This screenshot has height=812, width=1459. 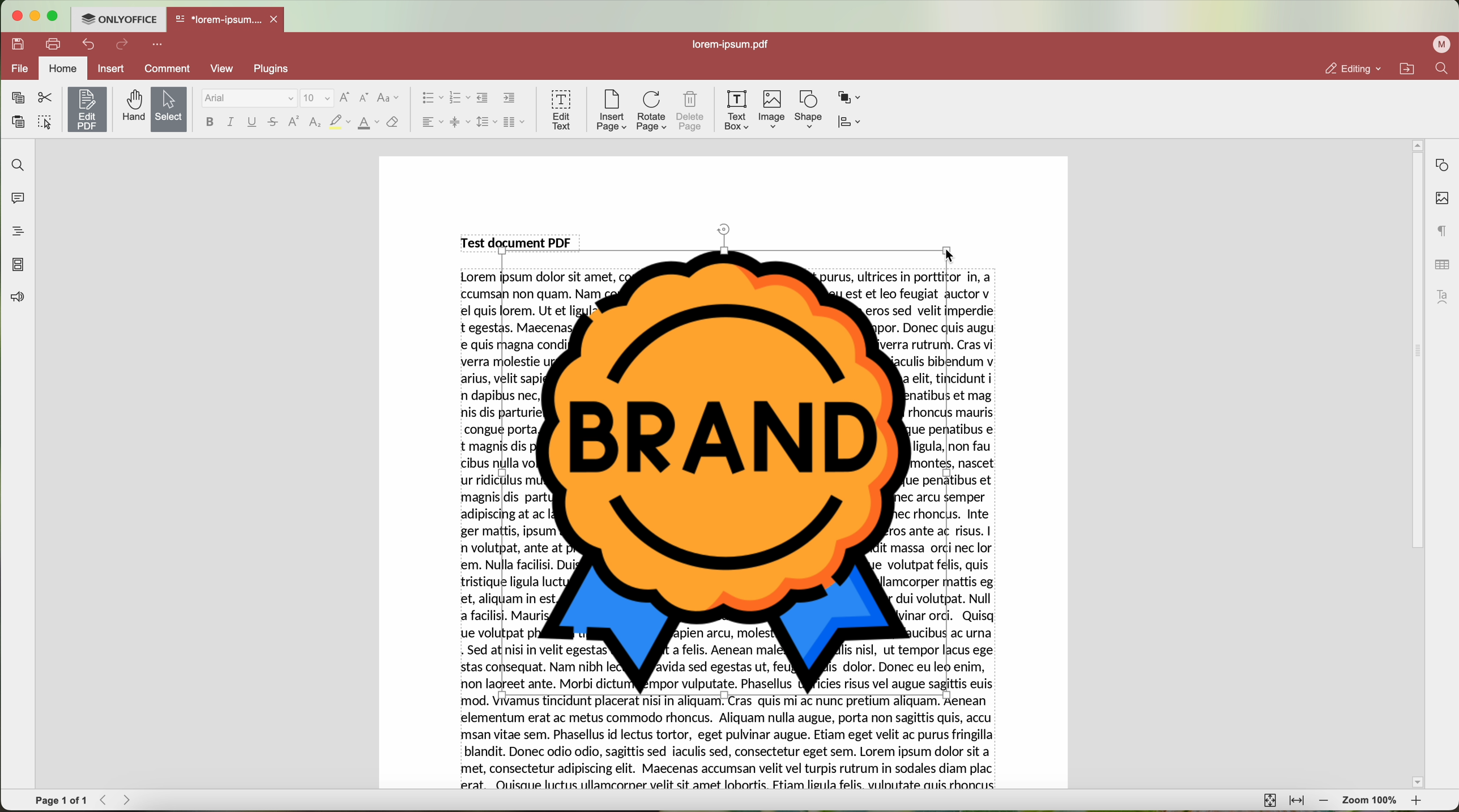 I want to click on profile, so click(x=1444, y=44).